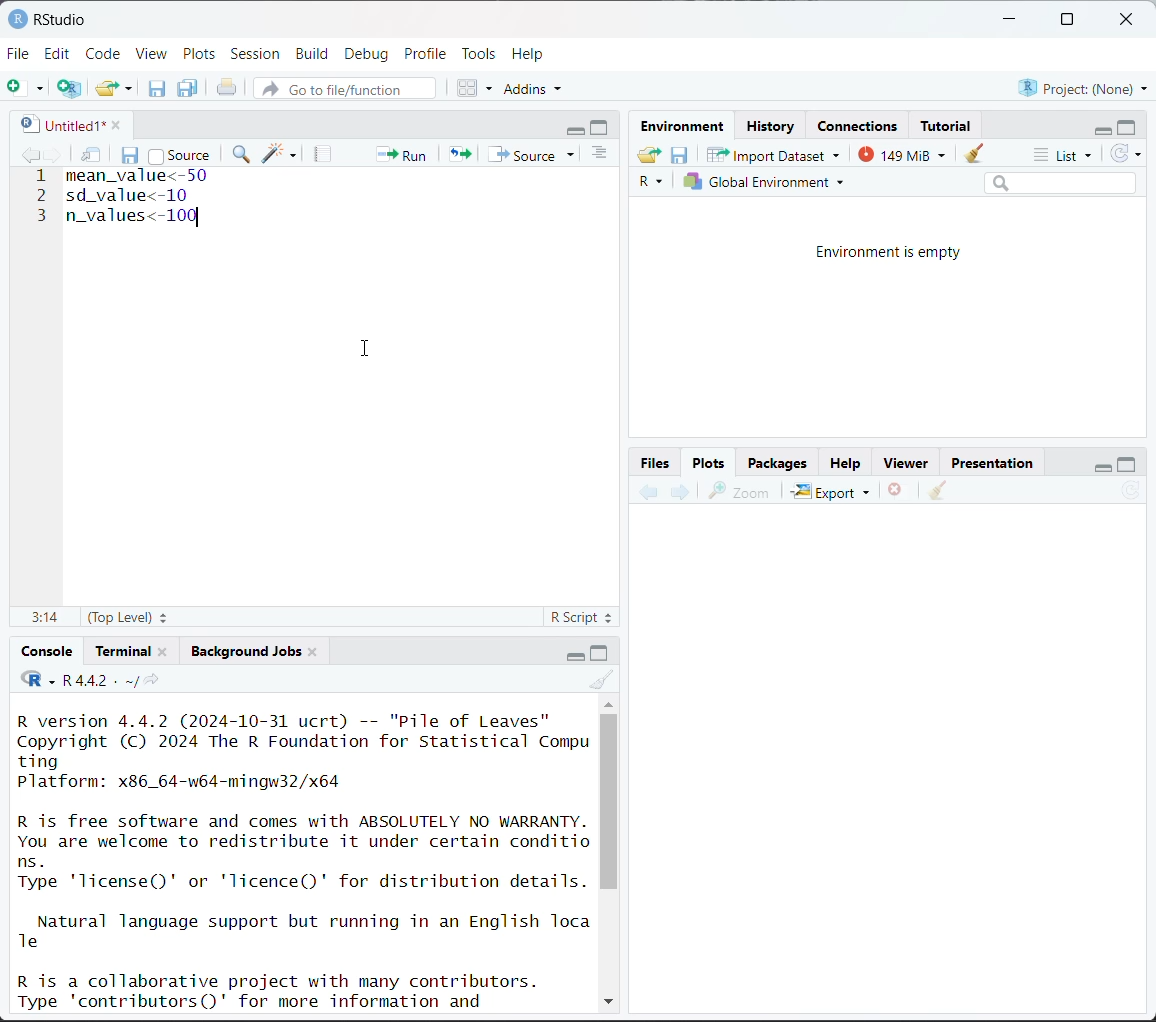 The height and width of the screenshot is (1022, 1156). Describe the element at coordinates (654, 183) in the screenshot. I see `R` at that location.